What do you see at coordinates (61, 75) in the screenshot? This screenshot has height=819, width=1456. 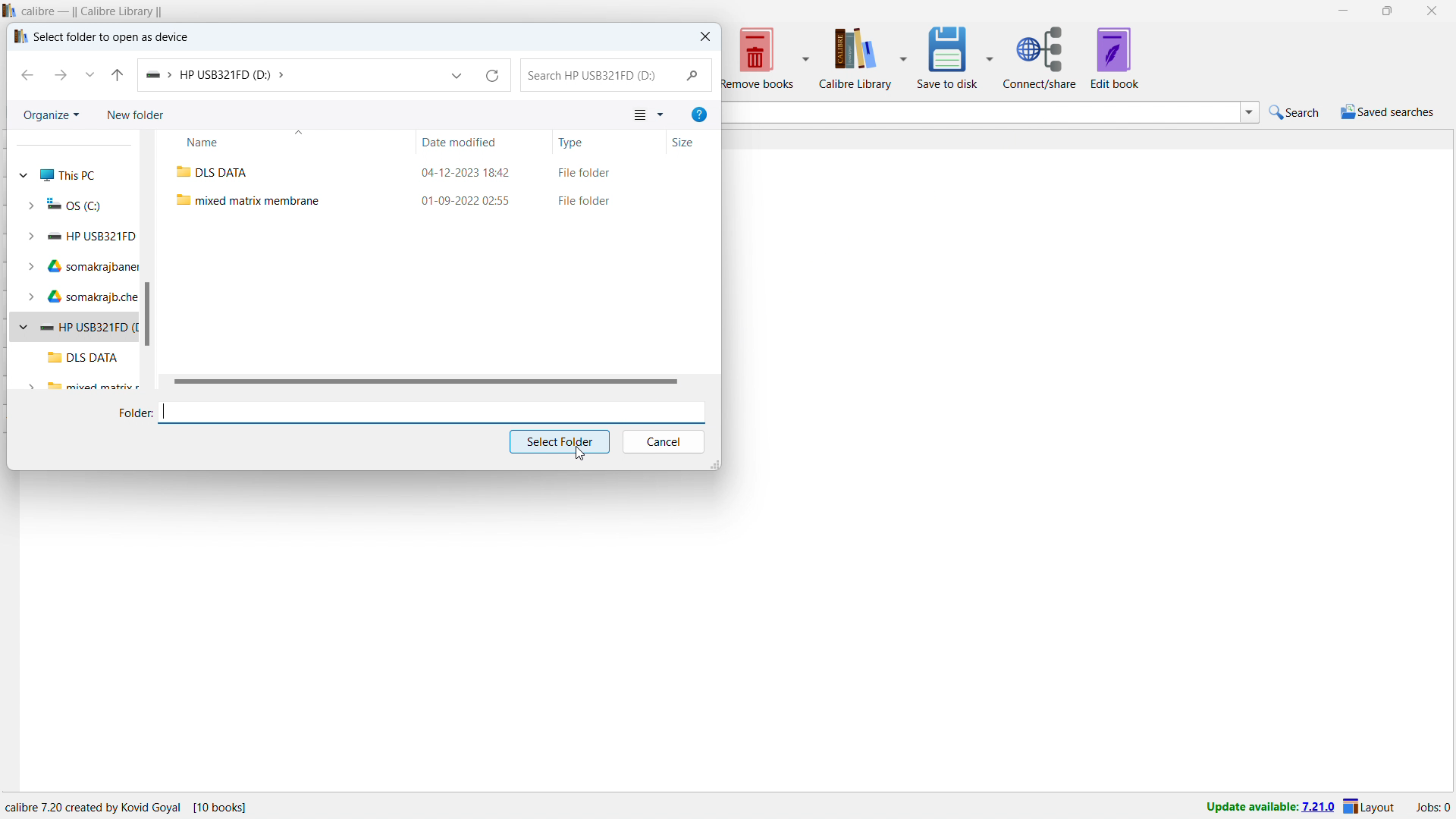 I see `next folder` at bounding box center [61, 75].